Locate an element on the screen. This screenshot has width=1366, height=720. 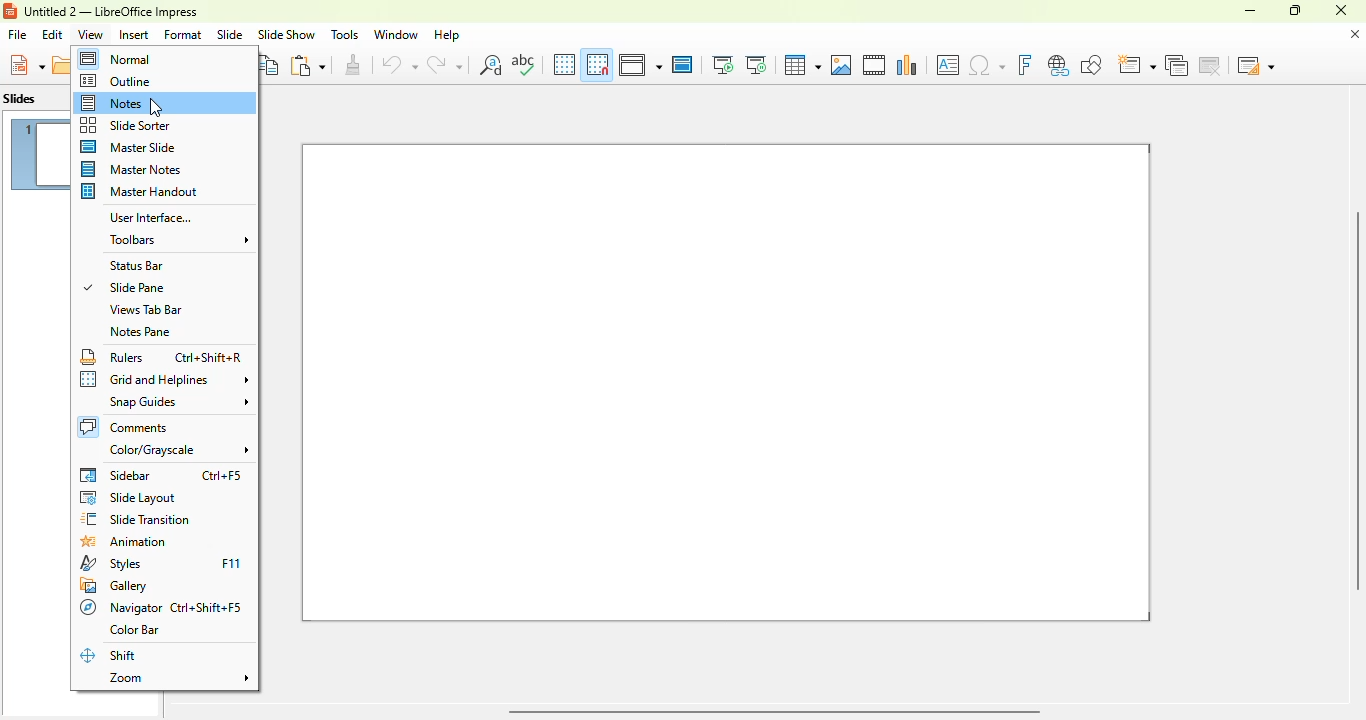
edit is located at coordinates (53, 35).